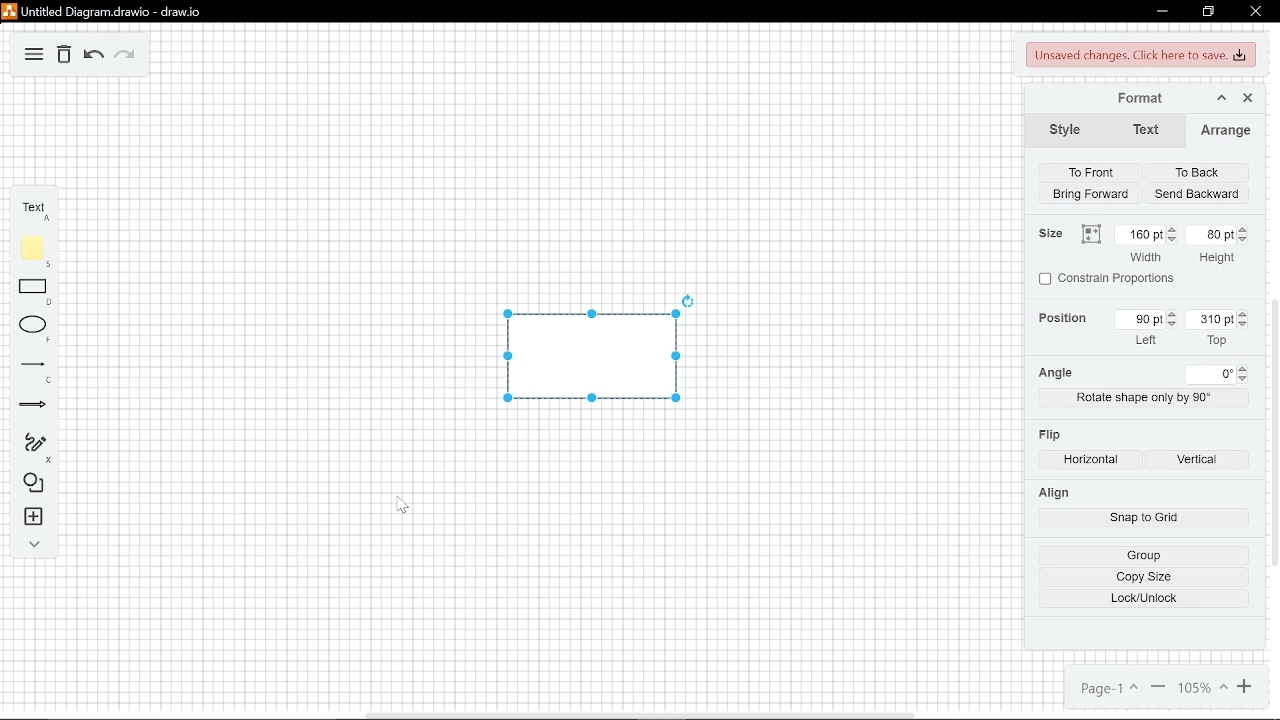  What do you see at coordinates (1221, 132) in the screenshot?
I see `arrange` at bounding box center [1221, 132].